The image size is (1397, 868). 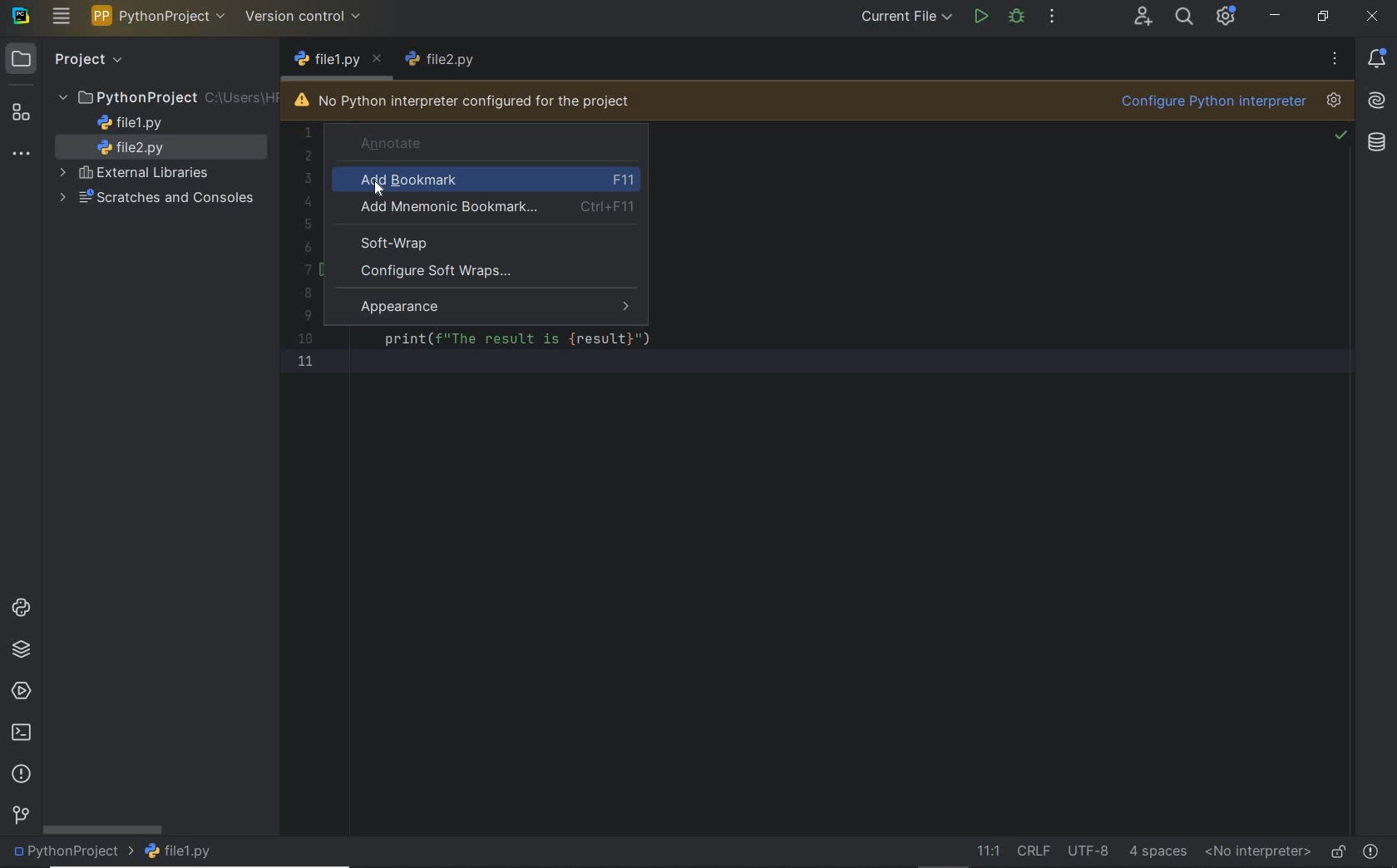 I want to click on run, so click(x=981, y=15).